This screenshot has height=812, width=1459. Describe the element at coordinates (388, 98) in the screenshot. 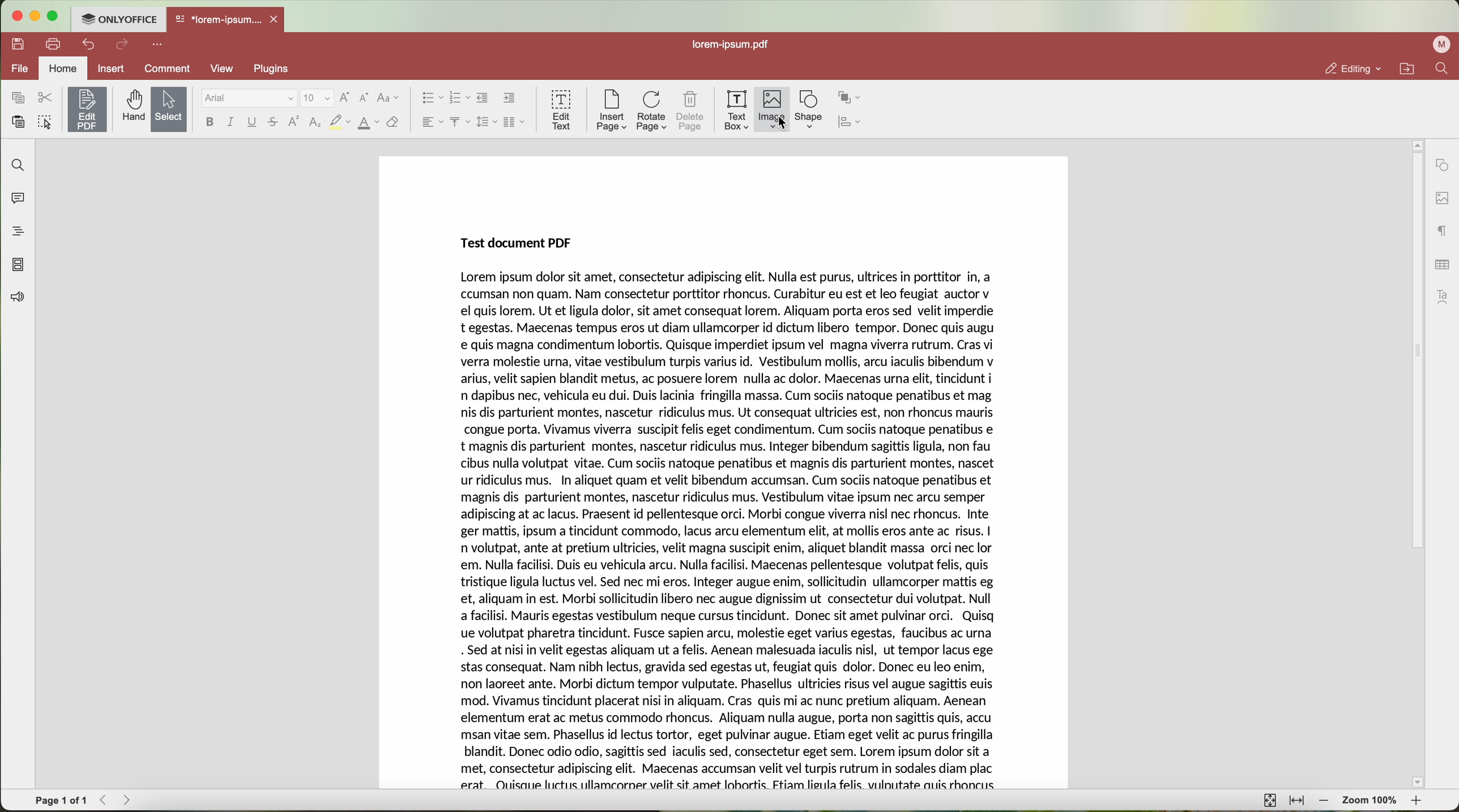

I see `change case` at that location.